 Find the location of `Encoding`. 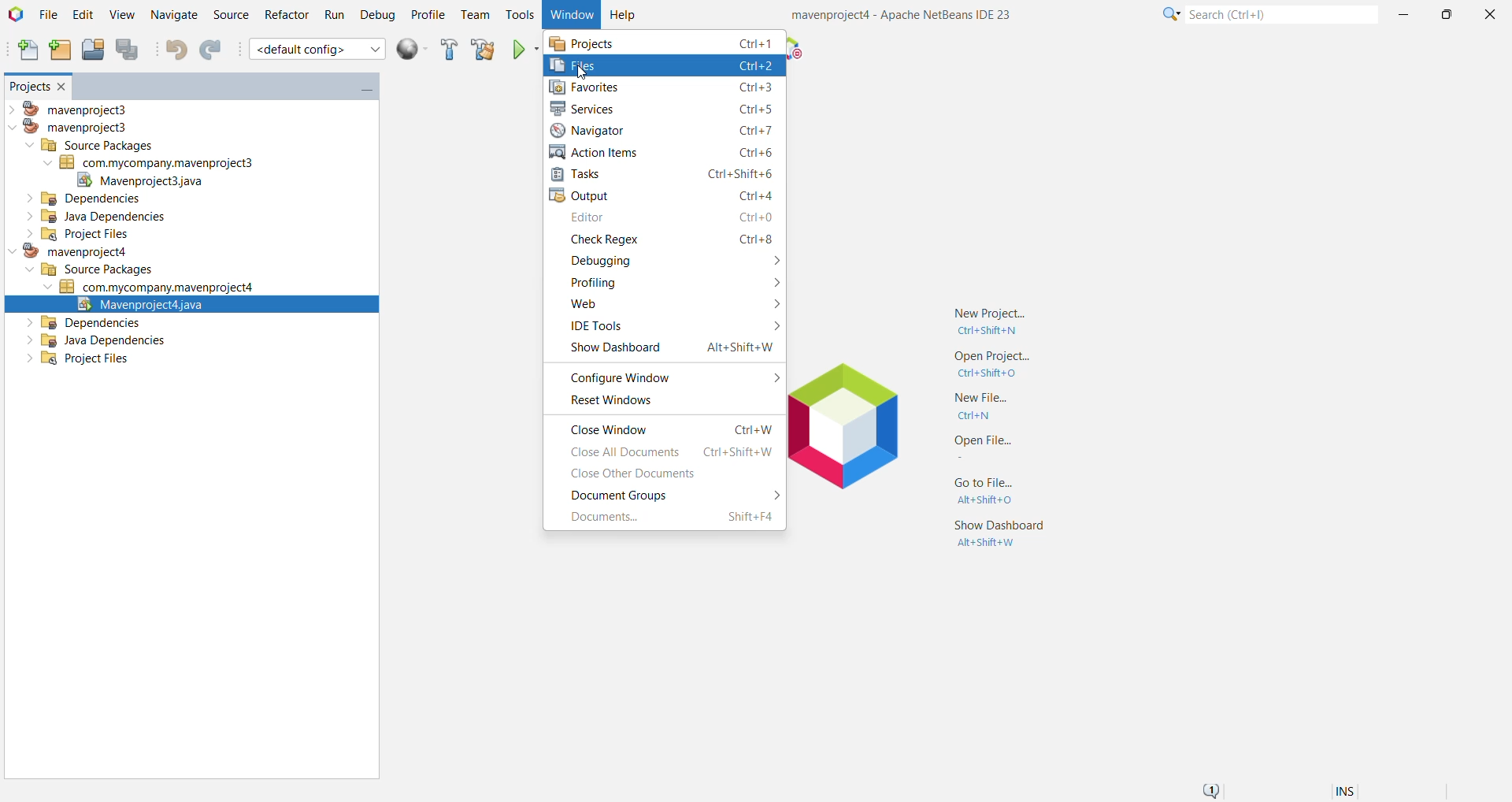

Encoding is located at coordinates (1365, 789).